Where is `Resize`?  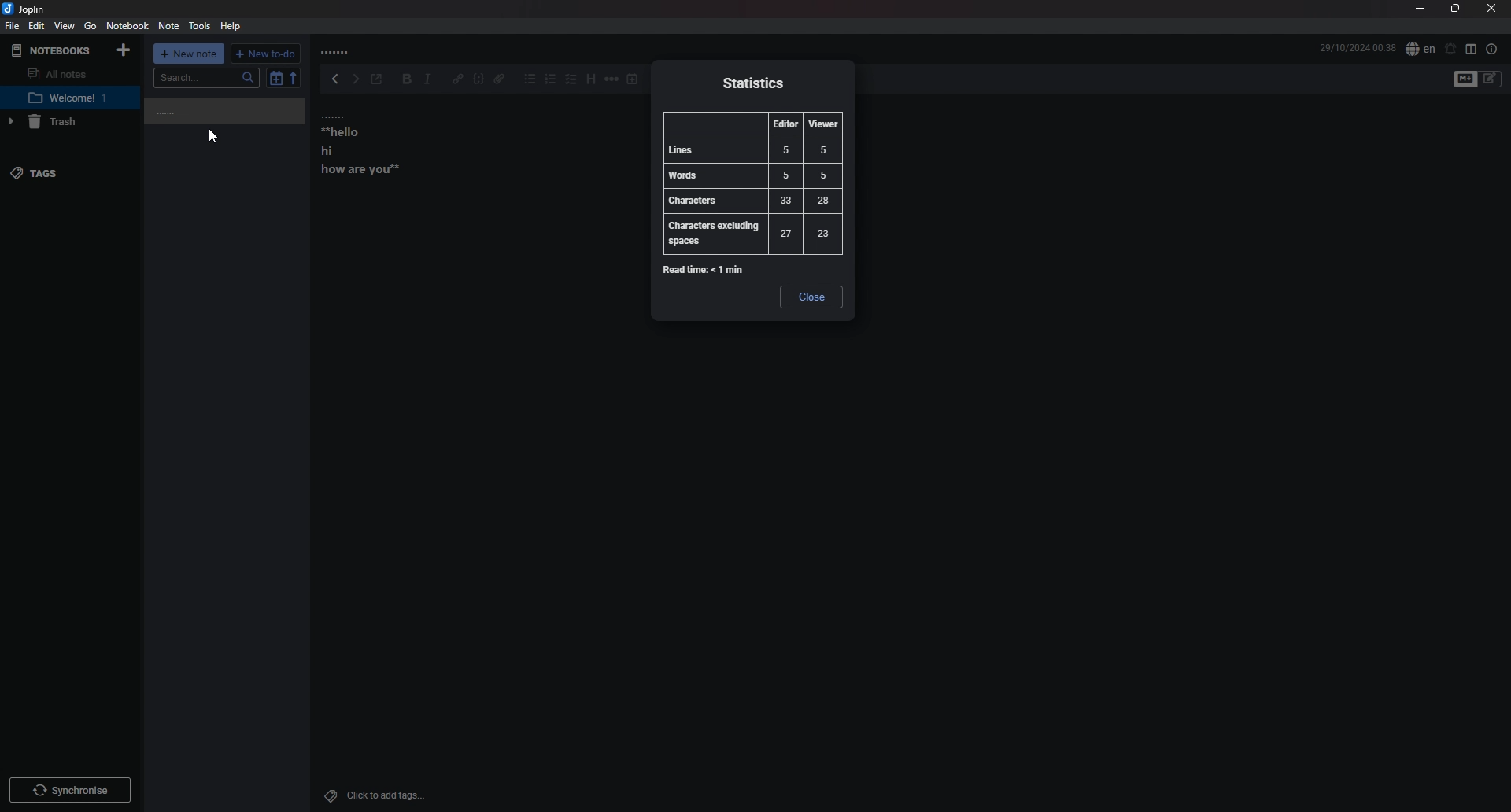 Resize is located at coordinates (1457, 8).